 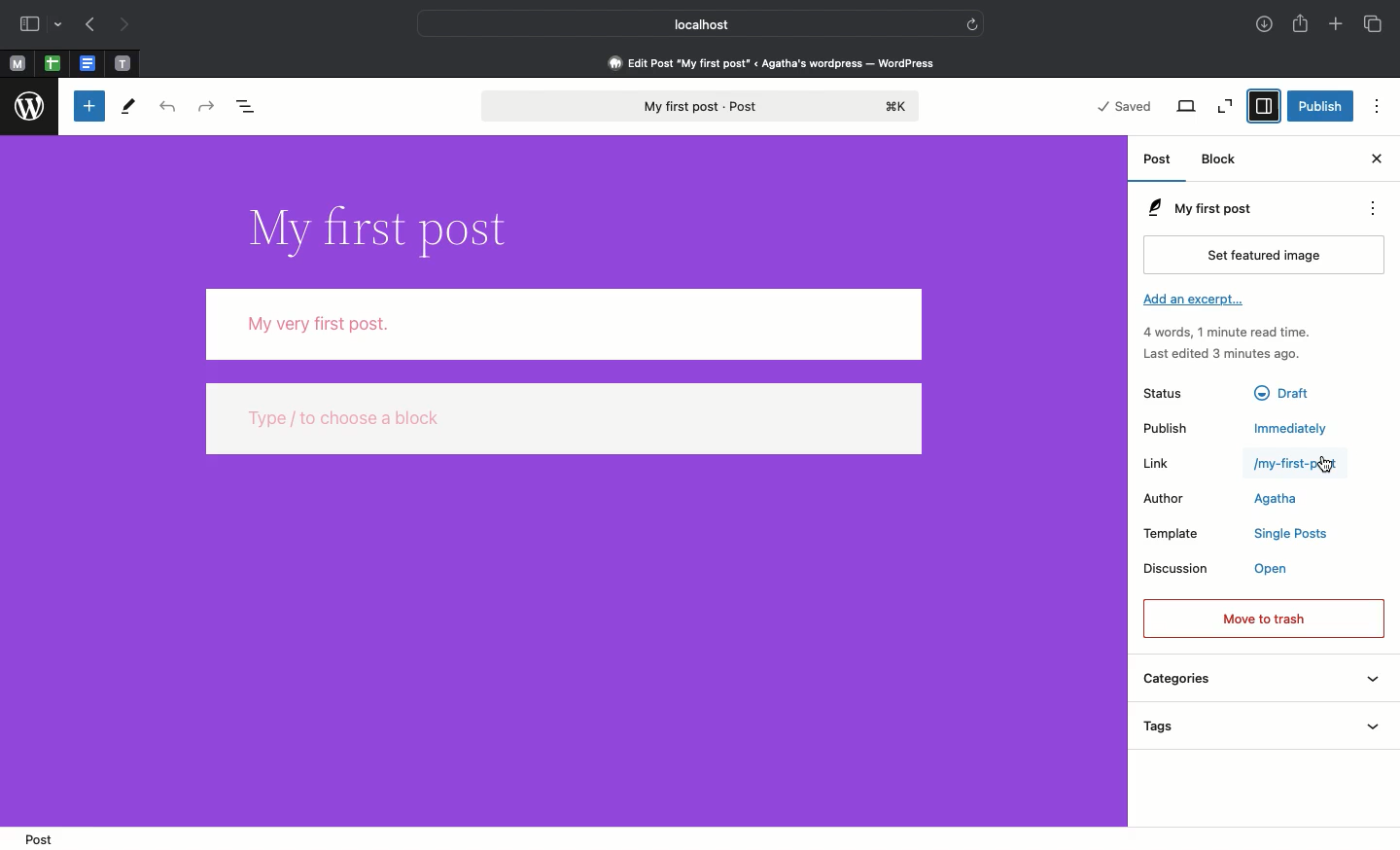 I want to click on Immediately, so click(x=1293, y=427).